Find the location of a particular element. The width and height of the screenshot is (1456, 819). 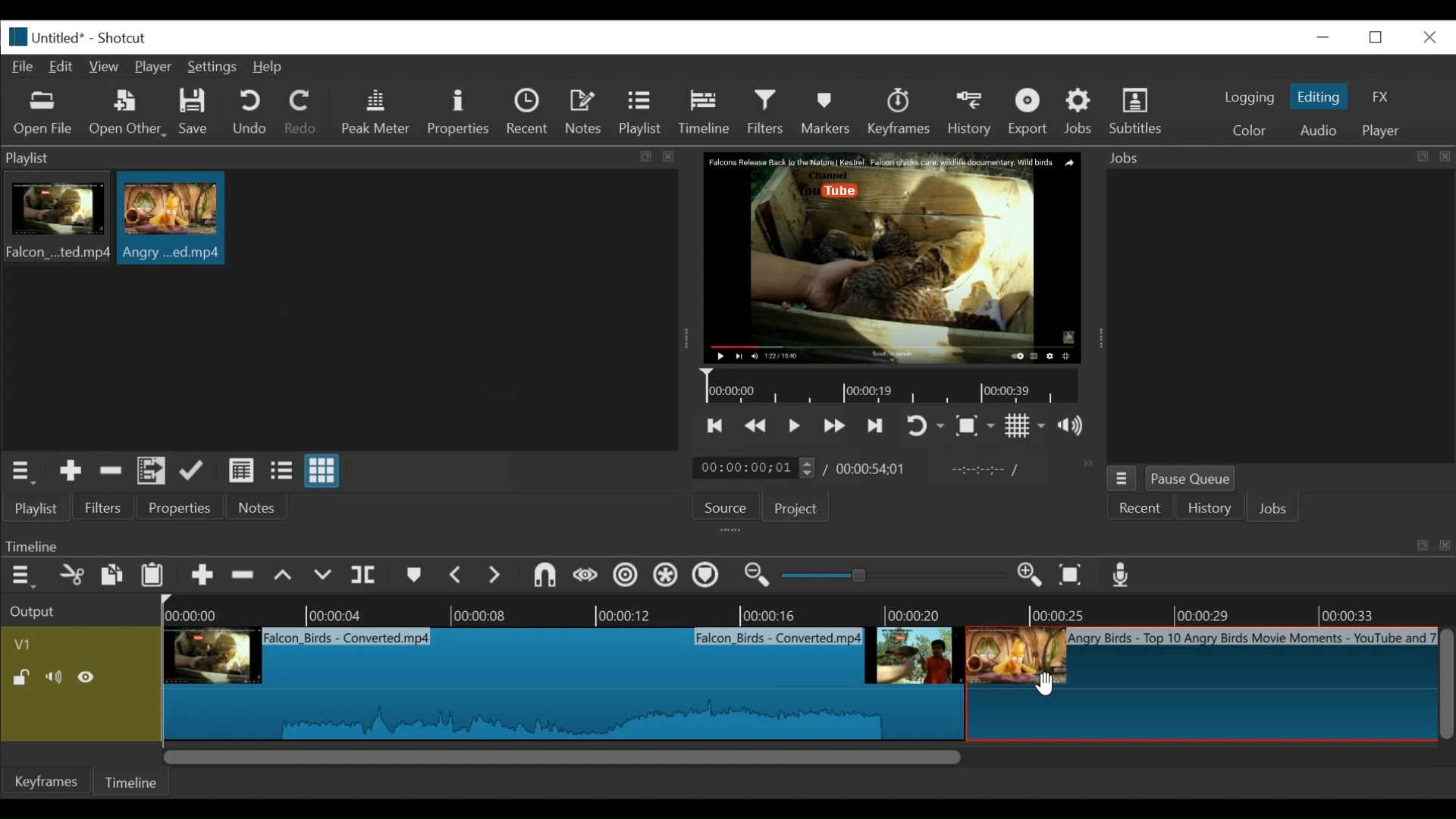

minimize is located at coordinates (1323, 36).